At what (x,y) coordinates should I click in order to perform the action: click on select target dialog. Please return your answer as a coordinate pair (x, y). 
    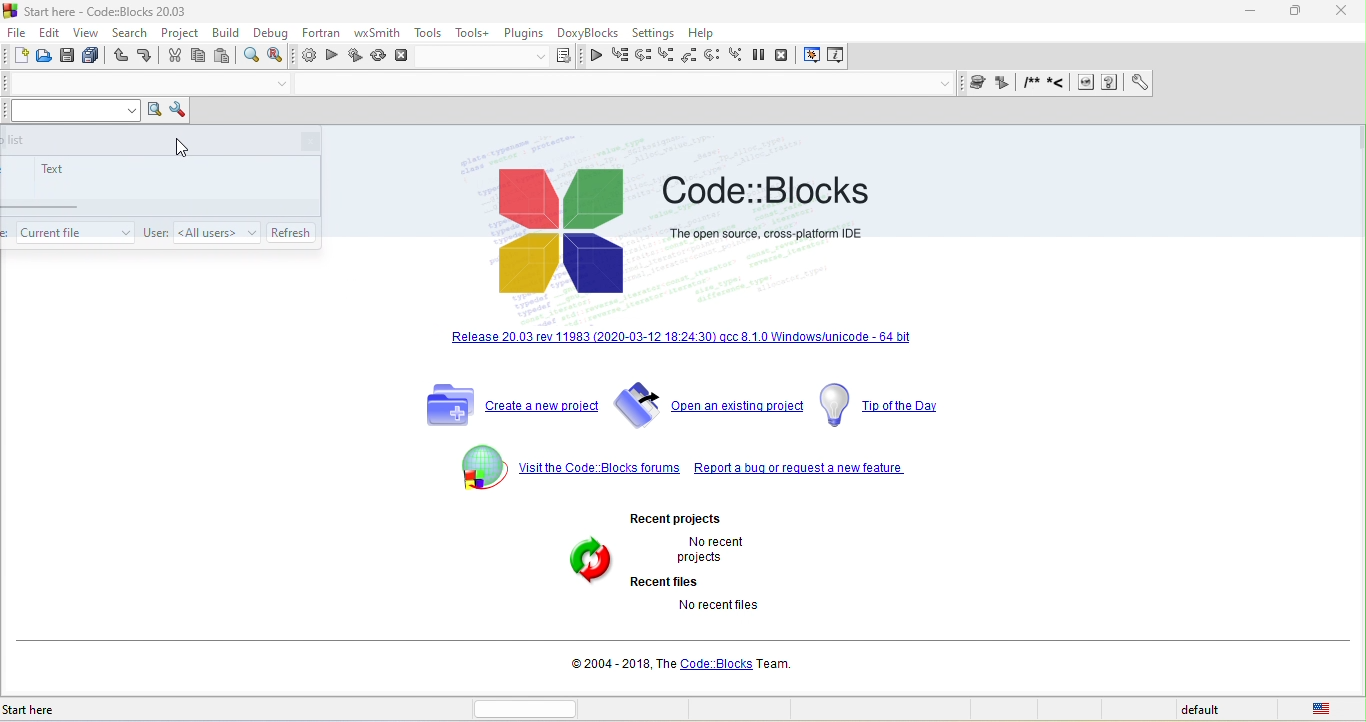
    Looking at the image, I should click on (501, 58).